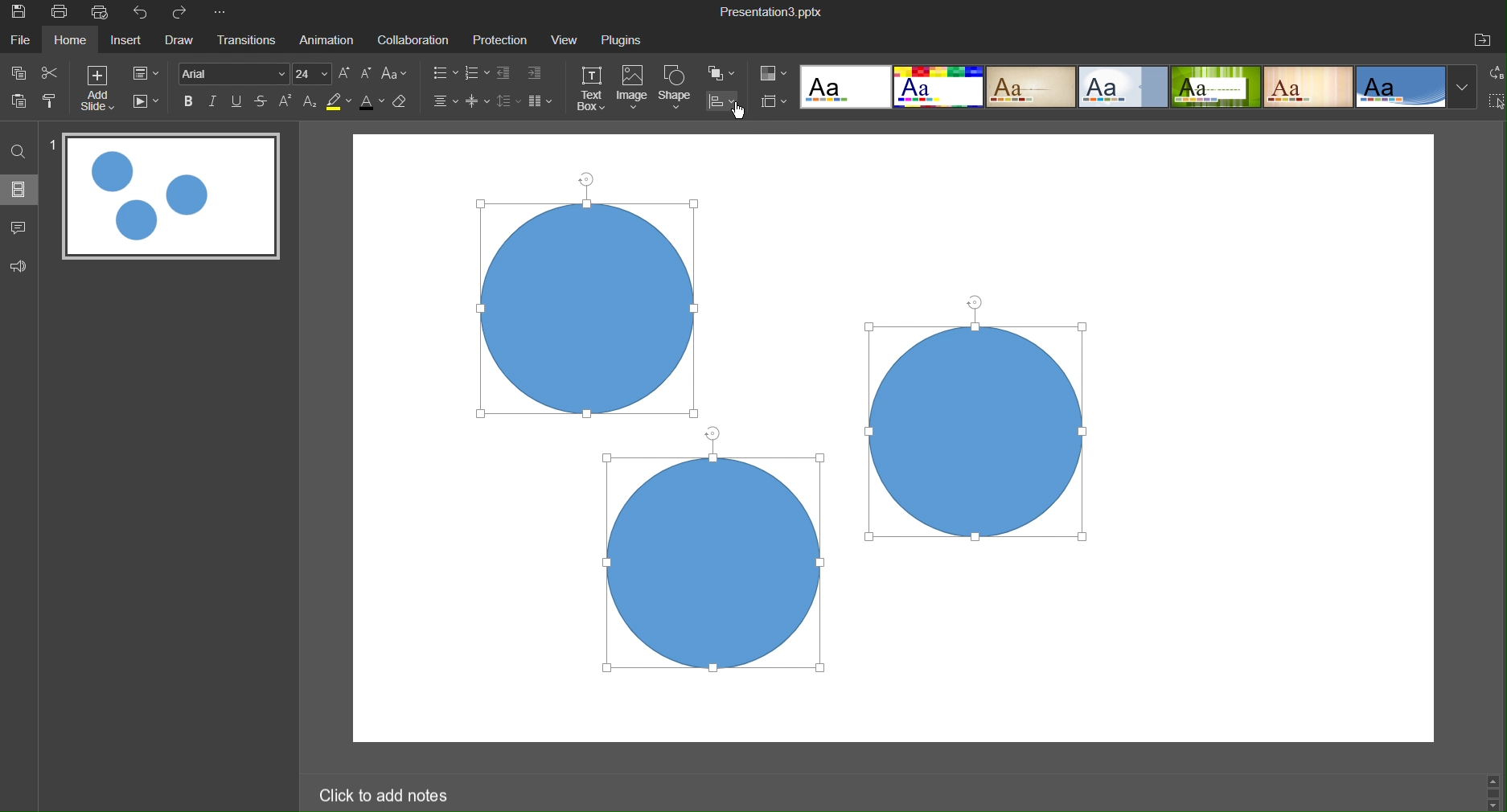 The image size is (1507, 812). I want to click on Decrease size, so click(367, 72).